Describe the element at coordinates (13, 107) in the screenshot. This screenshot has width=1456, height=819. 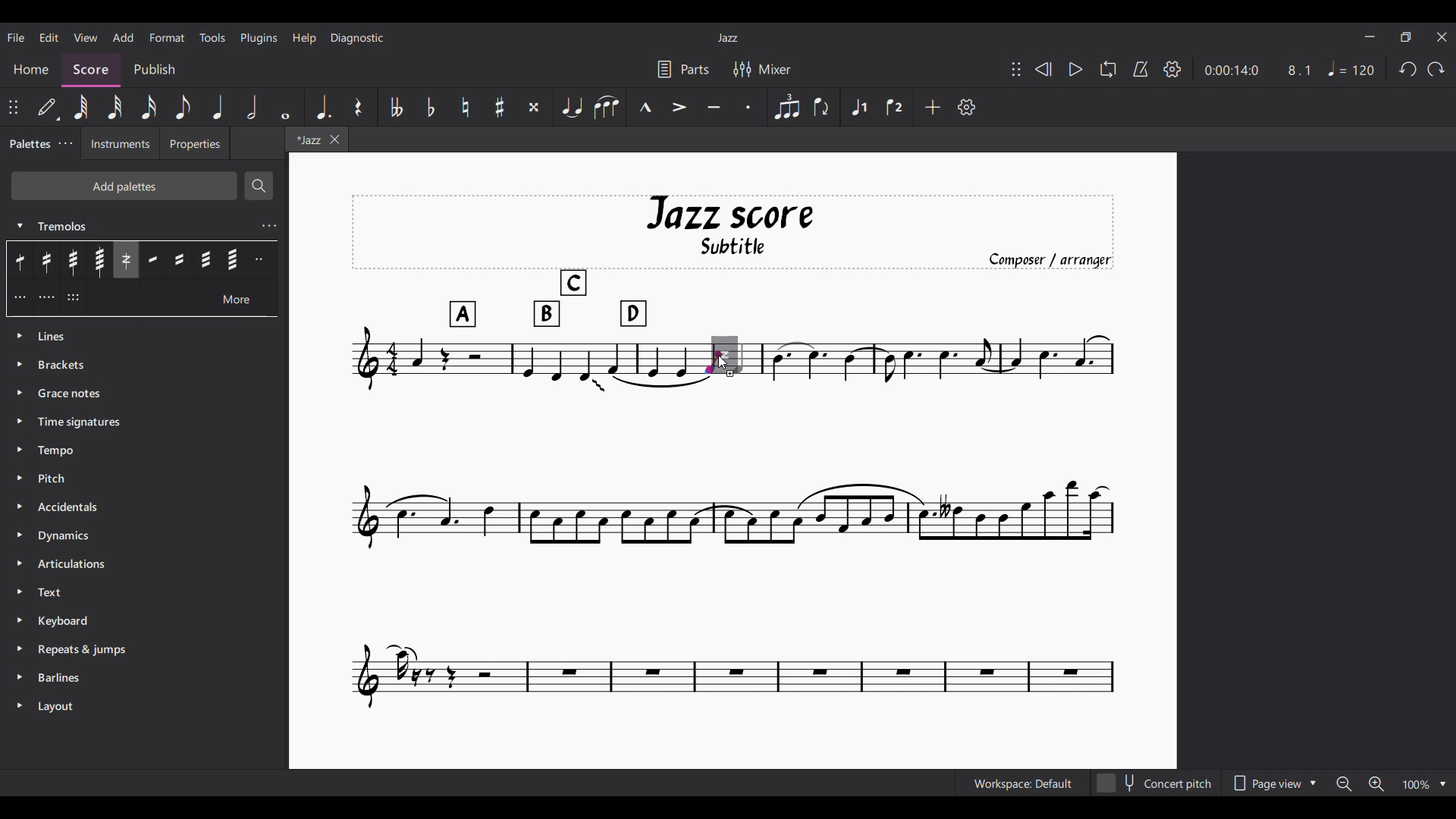
I see `Change position` at that location.